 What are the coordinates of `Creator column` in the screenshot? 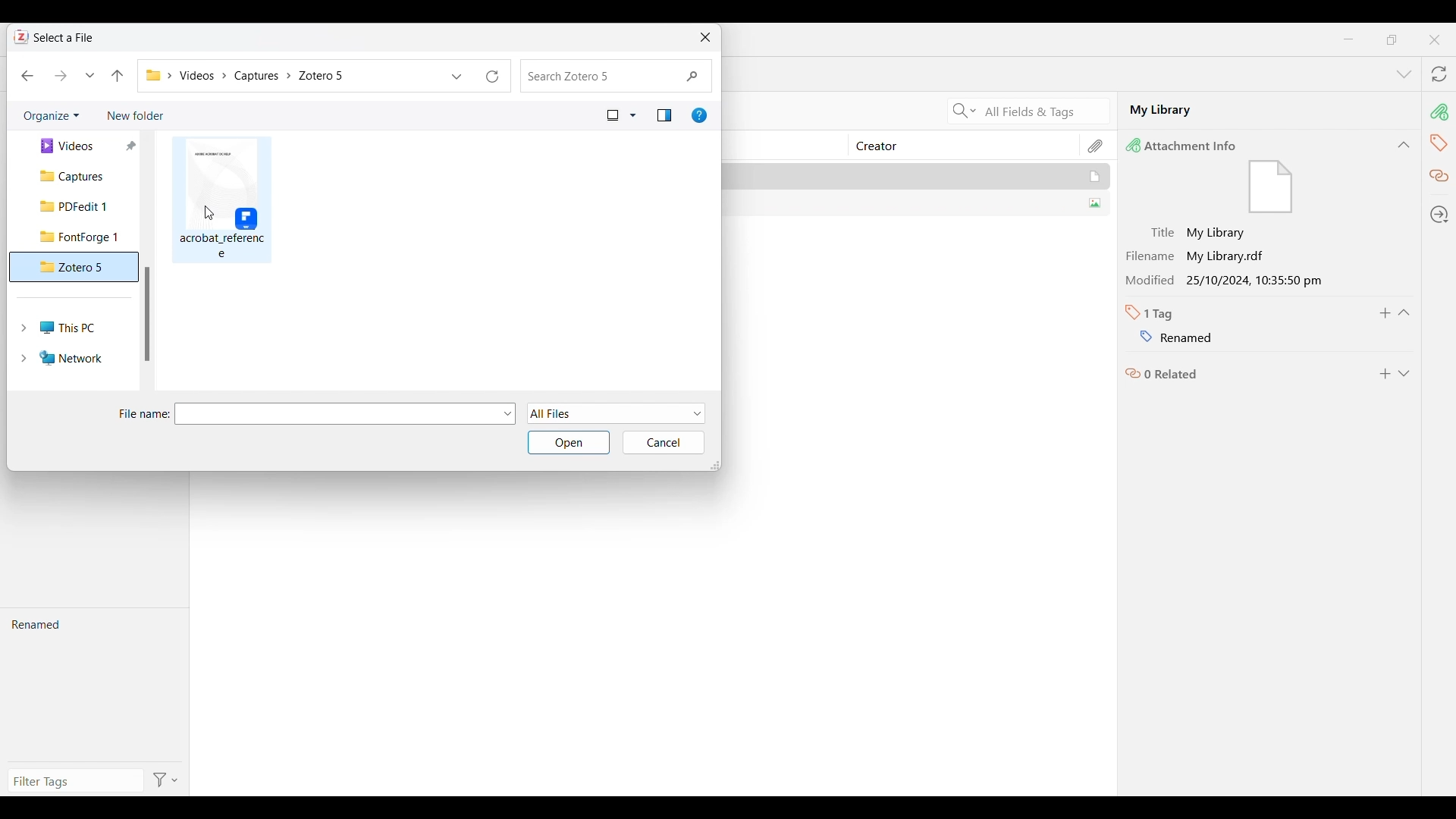 It's located at (952, 145).